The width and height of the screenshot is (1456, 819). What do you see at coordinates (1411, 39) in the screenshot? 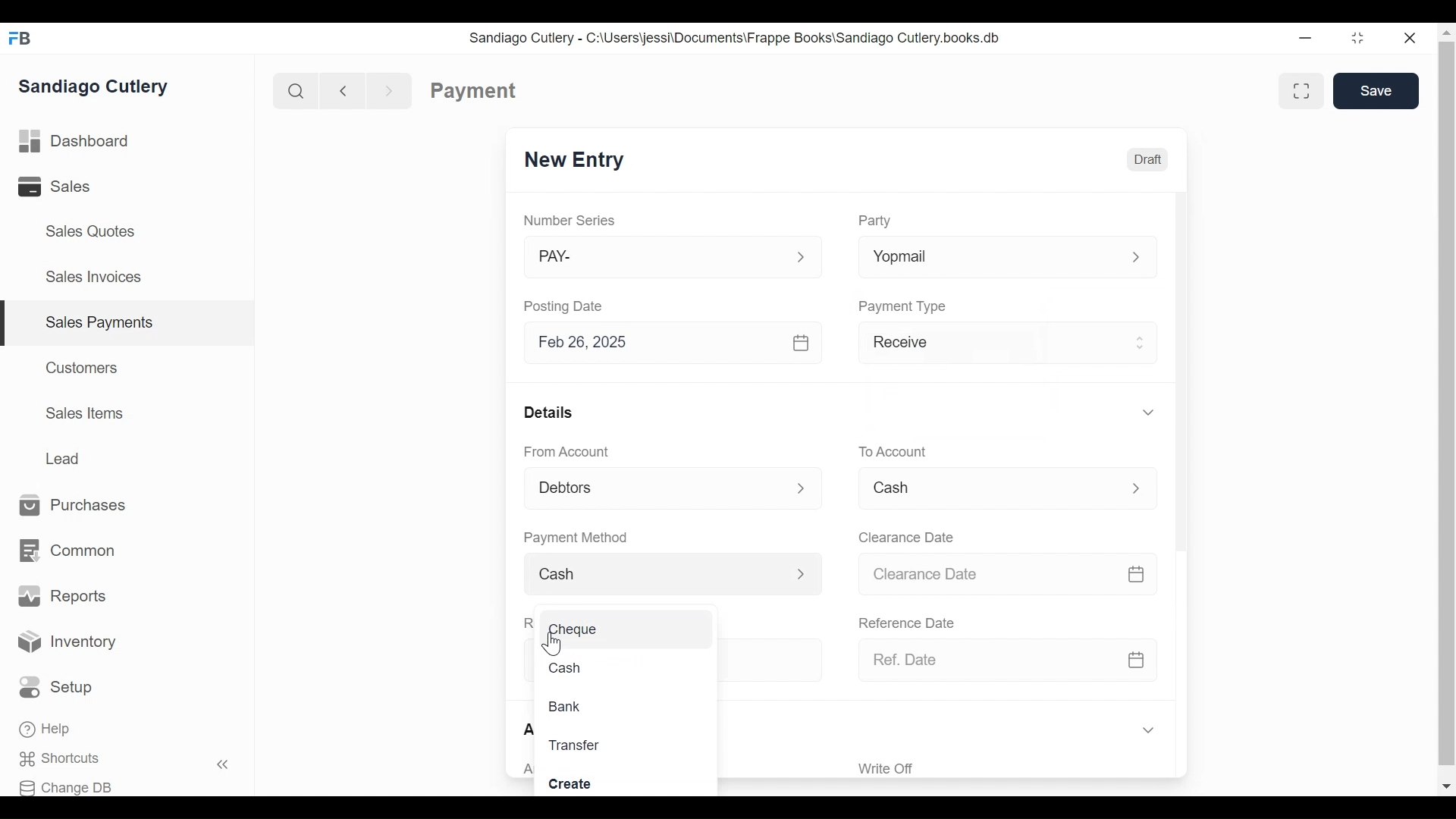
I see `Close ` at bounding box center [1411, 39].